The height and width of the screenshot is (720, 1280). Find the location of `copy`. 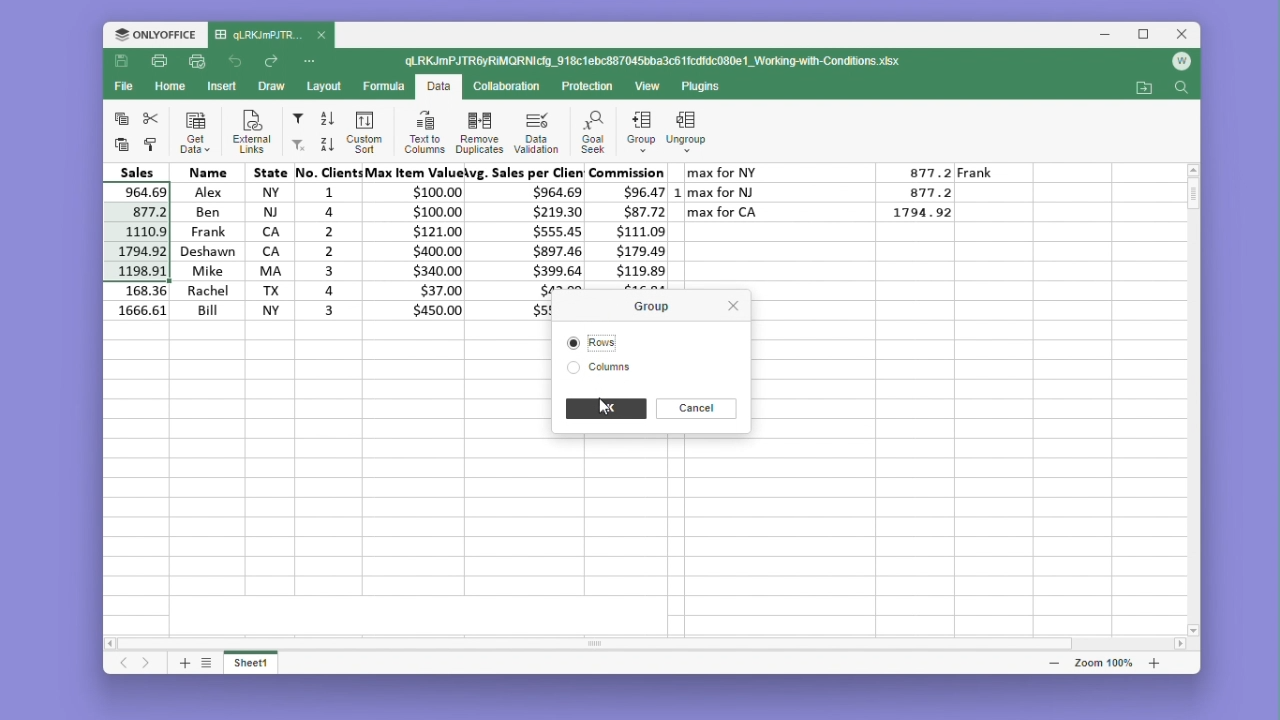

copy is located at coordinates (121, 117).